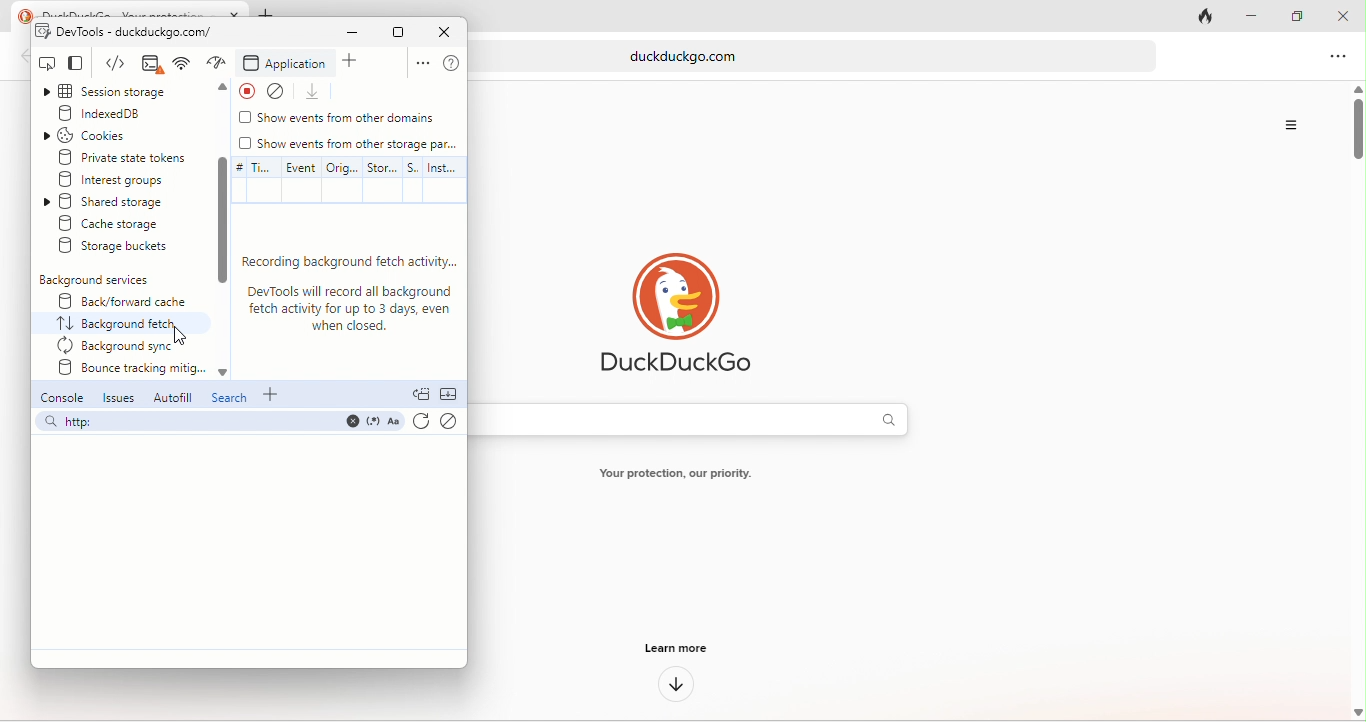 The image size is (1366, 722). What do you see at coordinates (298, 180) in the screenshot?
I see `event` at bounding box center [298, 180].